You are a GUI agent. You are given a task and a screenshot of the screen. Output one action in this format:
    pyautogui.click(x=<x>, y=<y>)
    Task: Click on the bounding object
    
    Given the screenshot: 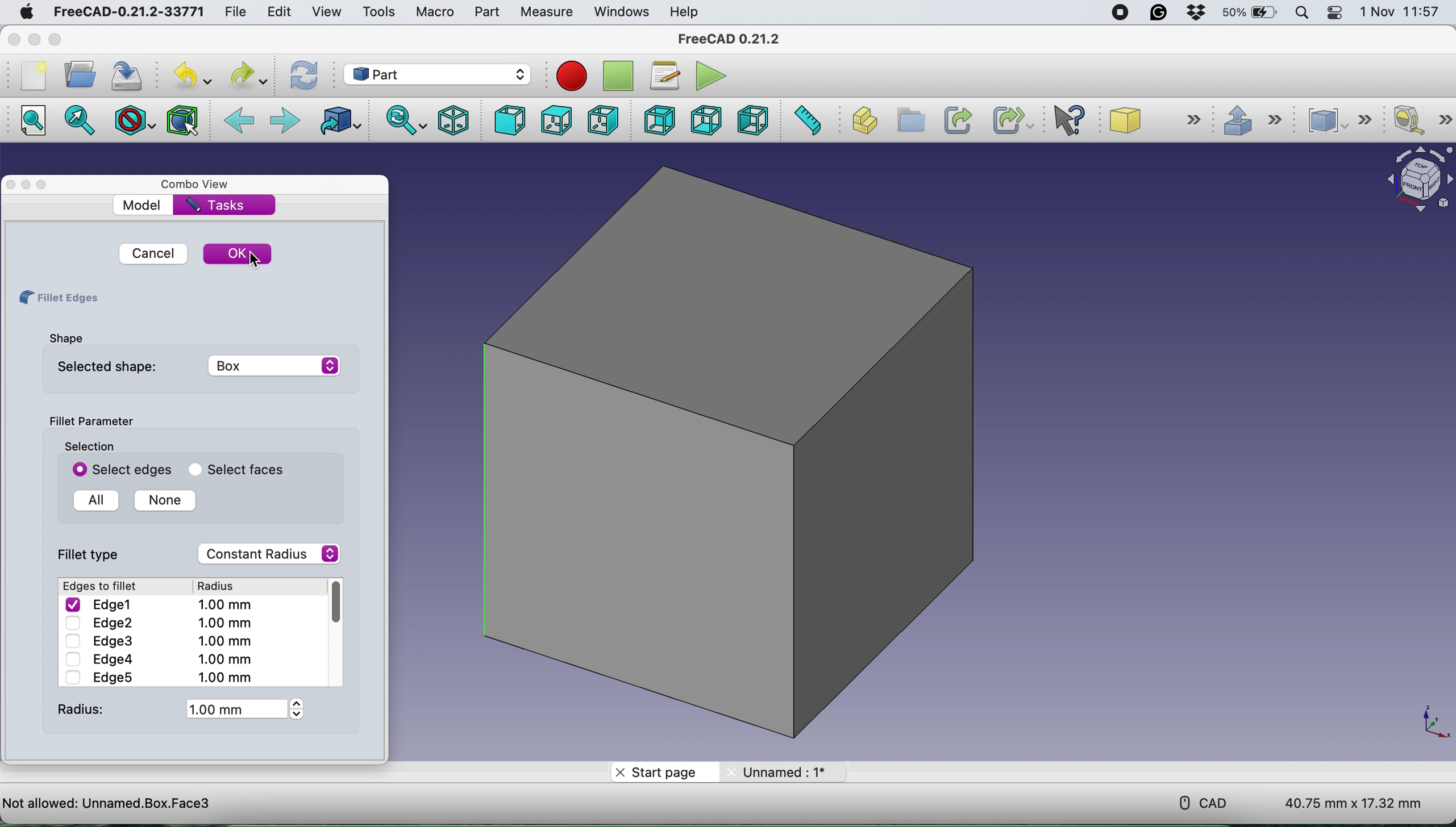 What is the action you would take?
    pyautogui.click(x=183, y=121)
    